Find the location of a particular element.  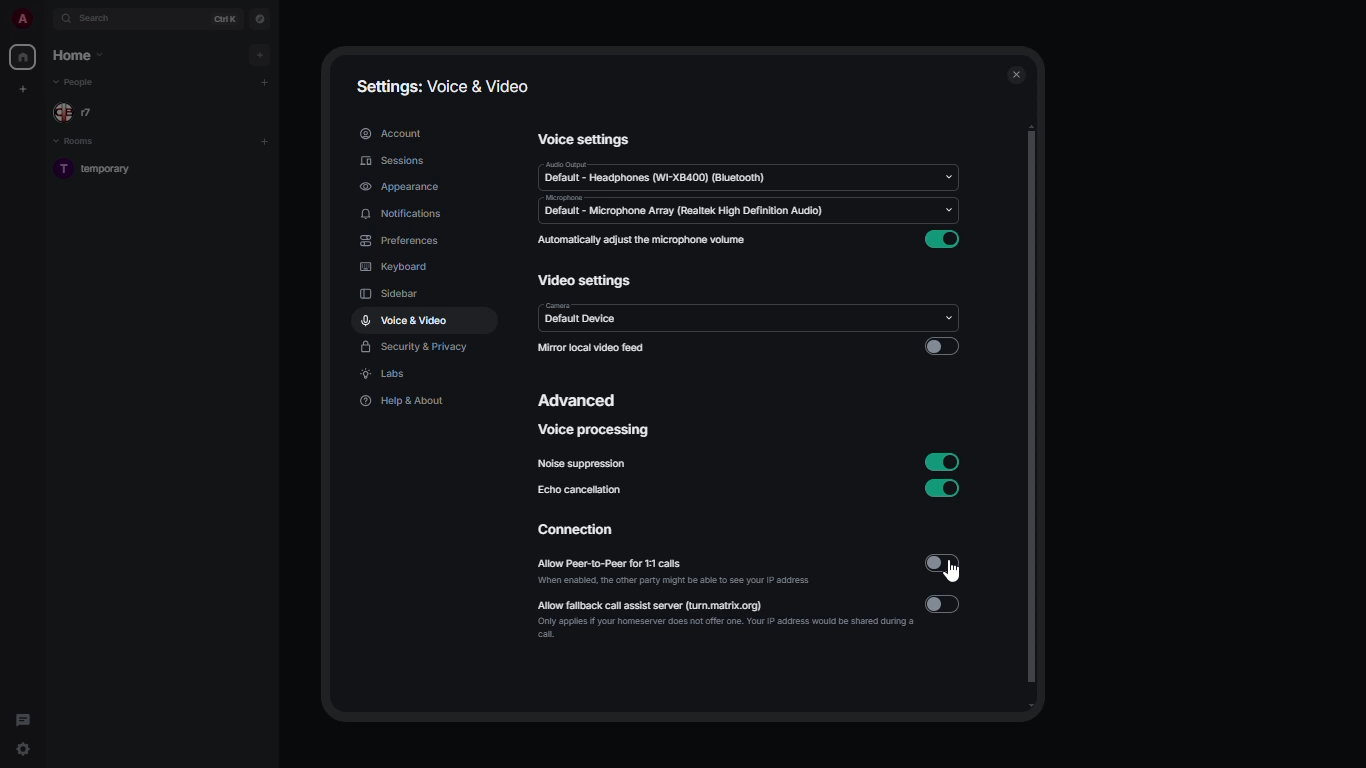

echo cancellation is located at coordinates (582, 490).